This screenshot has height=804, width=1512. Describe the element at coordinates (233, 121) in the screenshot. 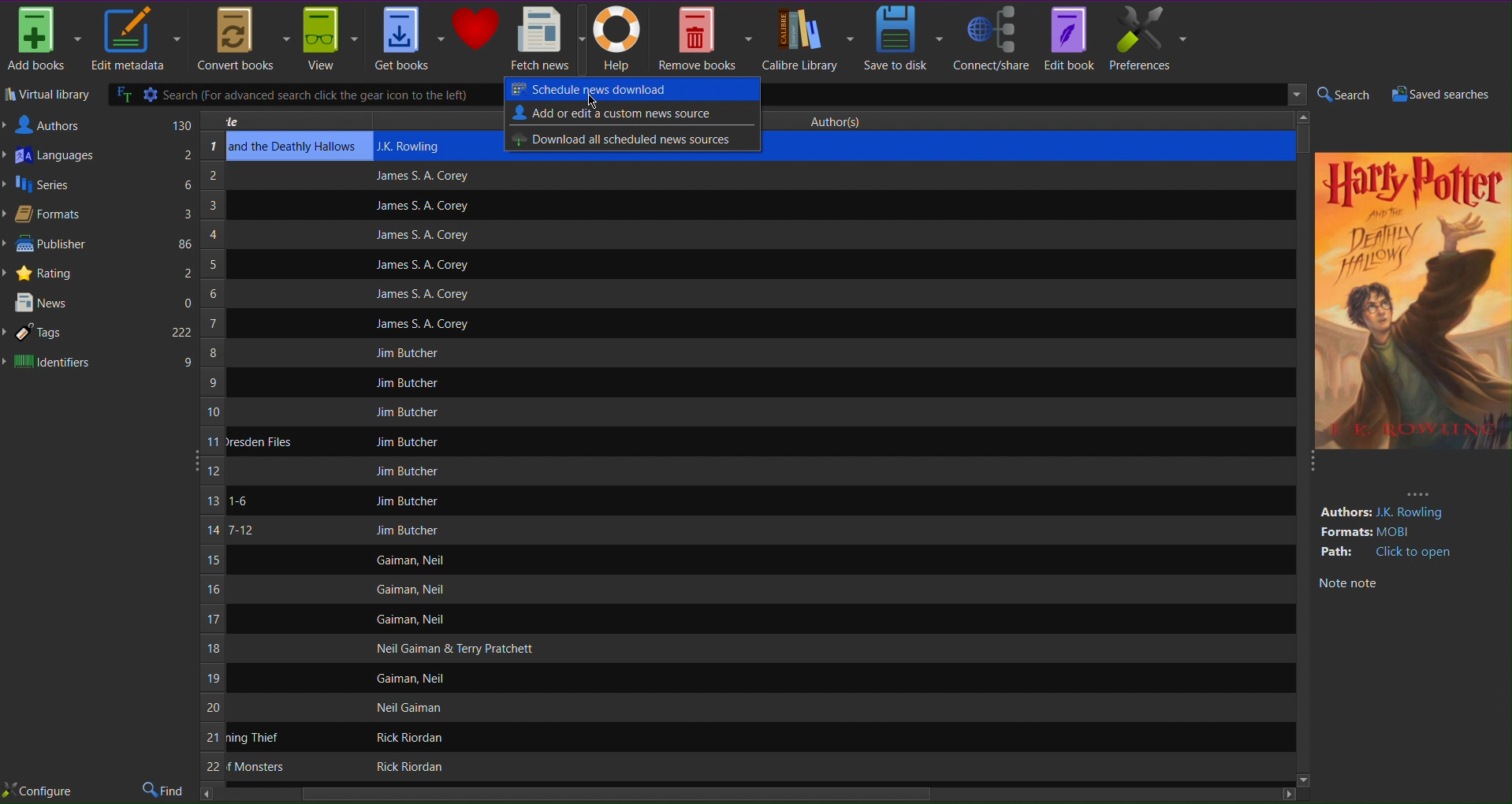

I see `` at that location.